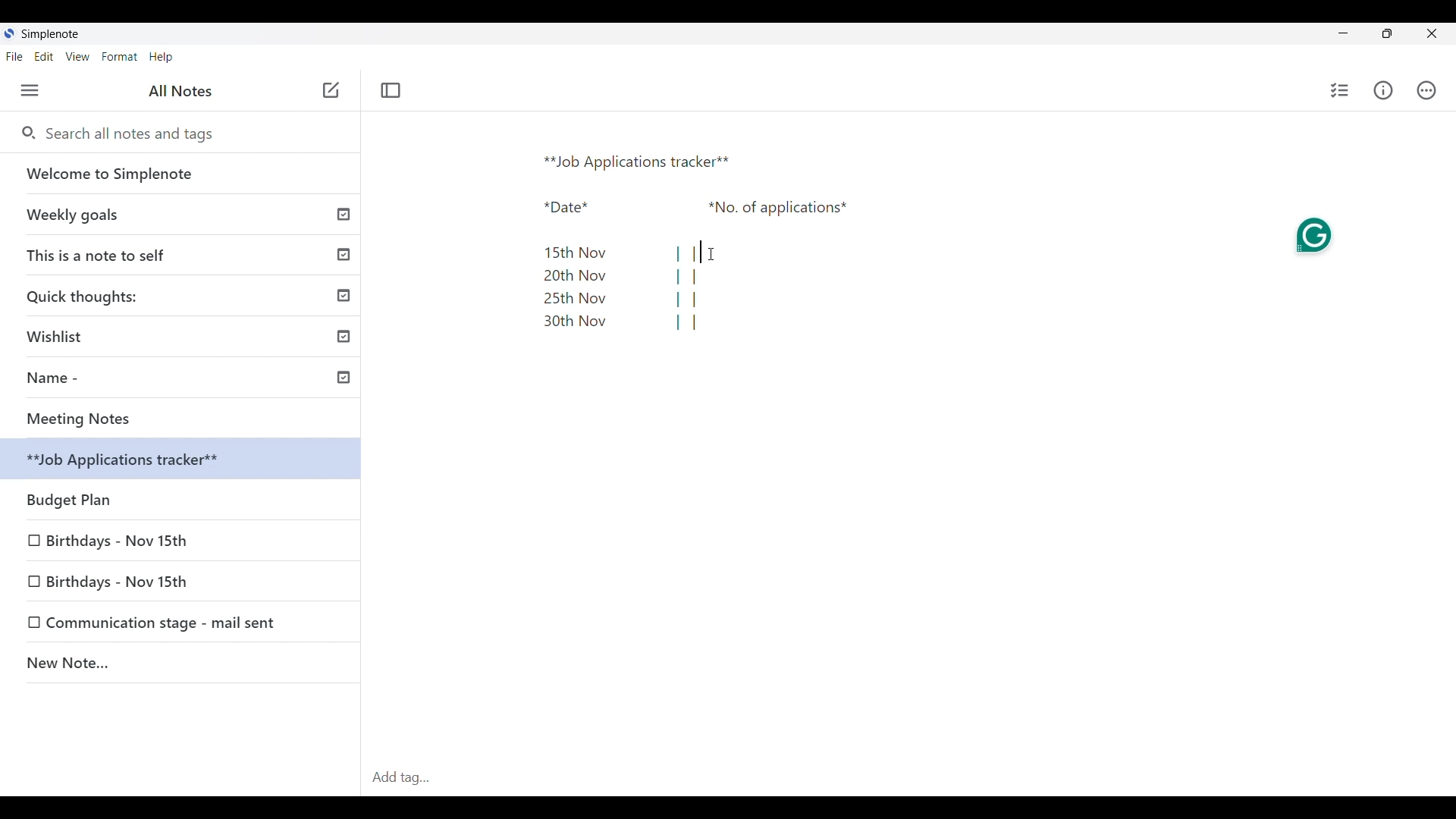 This screenshot has height=819, width=1456. Describe the element at coordinates (30, 90) in the screenshot. I see `Menu` at that location.